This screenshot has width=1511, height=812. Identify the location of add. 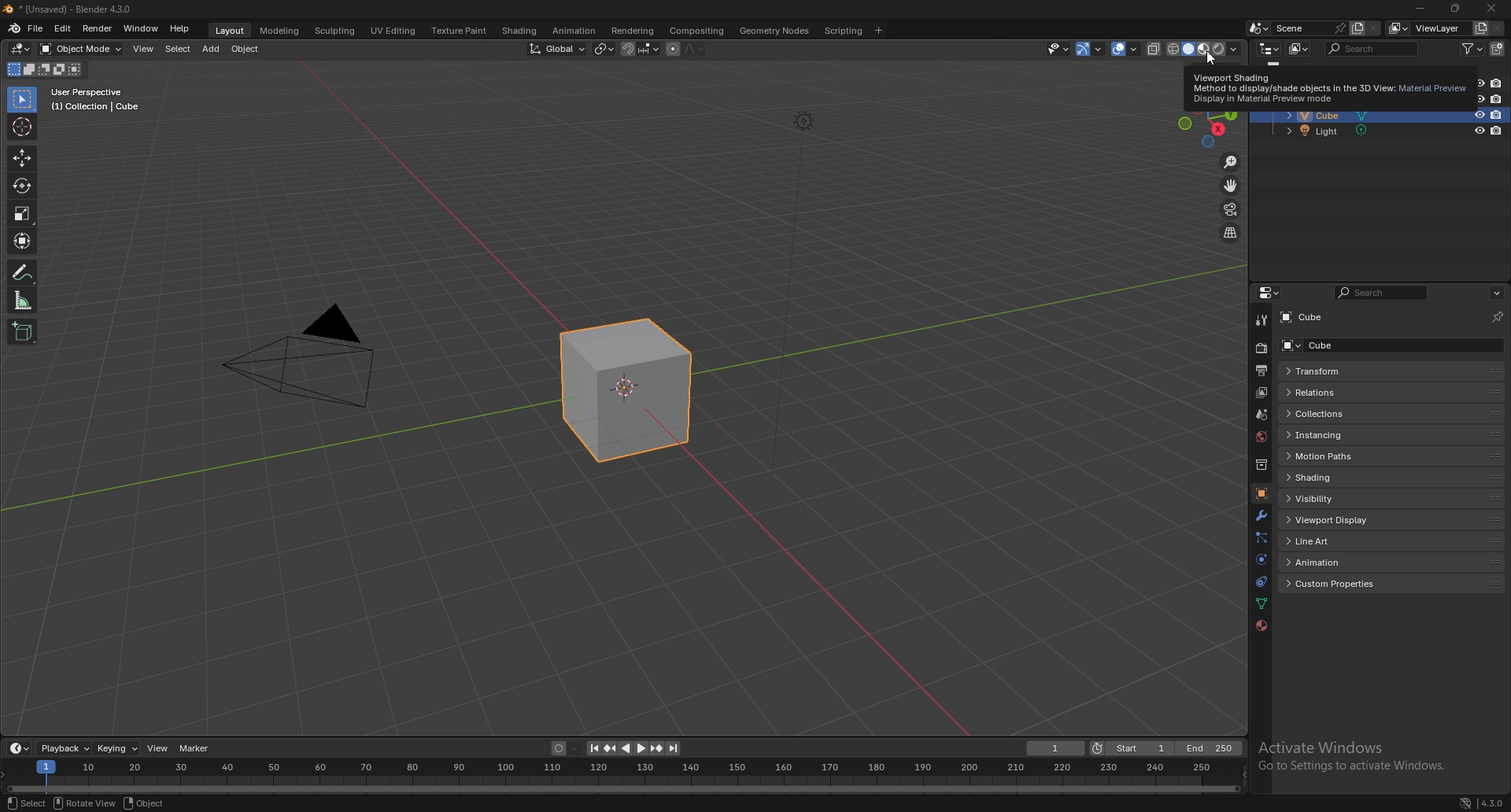
(212, 50).